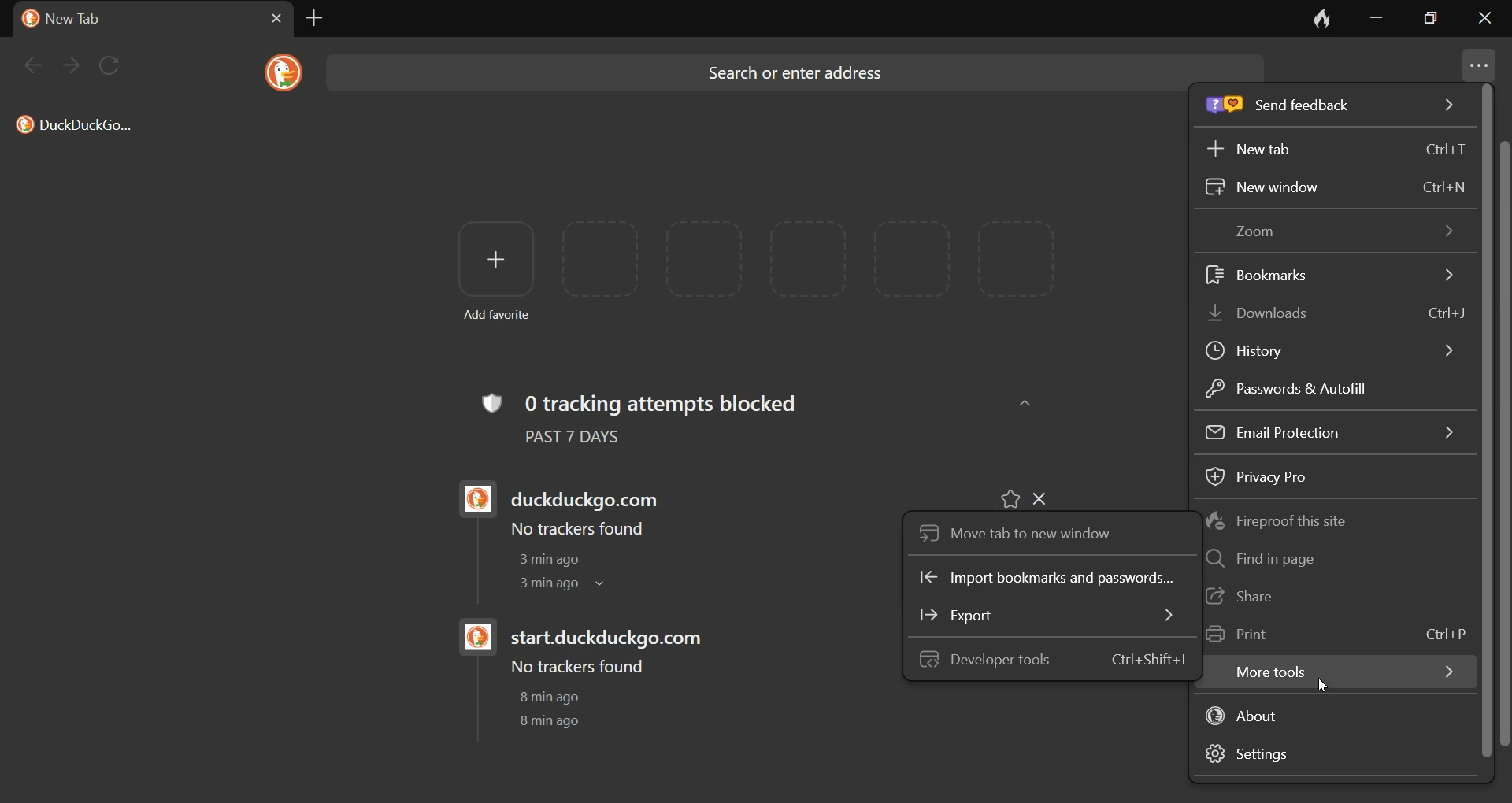 Image resolution: width=1512 pixels, height=803 pixels. I want to click on tracking logo, so click(490, 400).